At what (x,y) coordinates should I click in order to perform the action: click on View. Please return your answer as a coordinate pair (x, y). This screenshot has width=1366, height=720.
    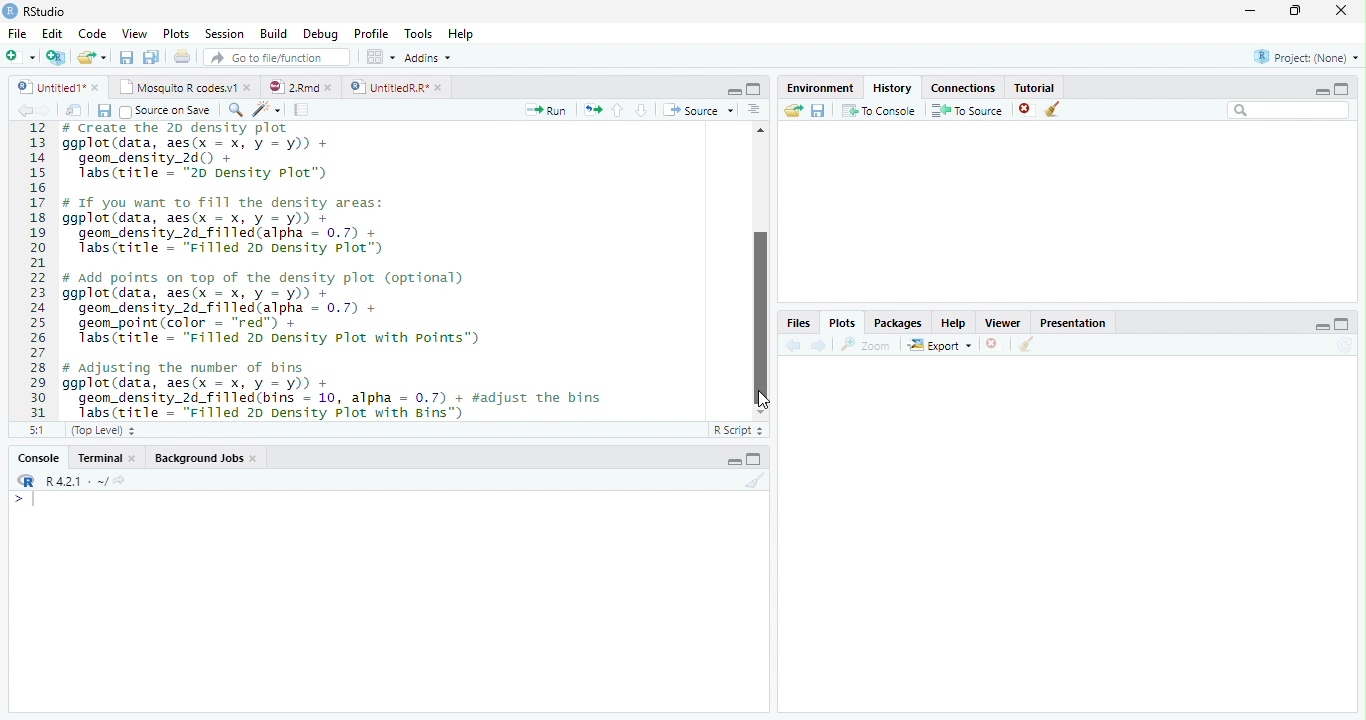
    Looking at the image, I should click on (134, 34).